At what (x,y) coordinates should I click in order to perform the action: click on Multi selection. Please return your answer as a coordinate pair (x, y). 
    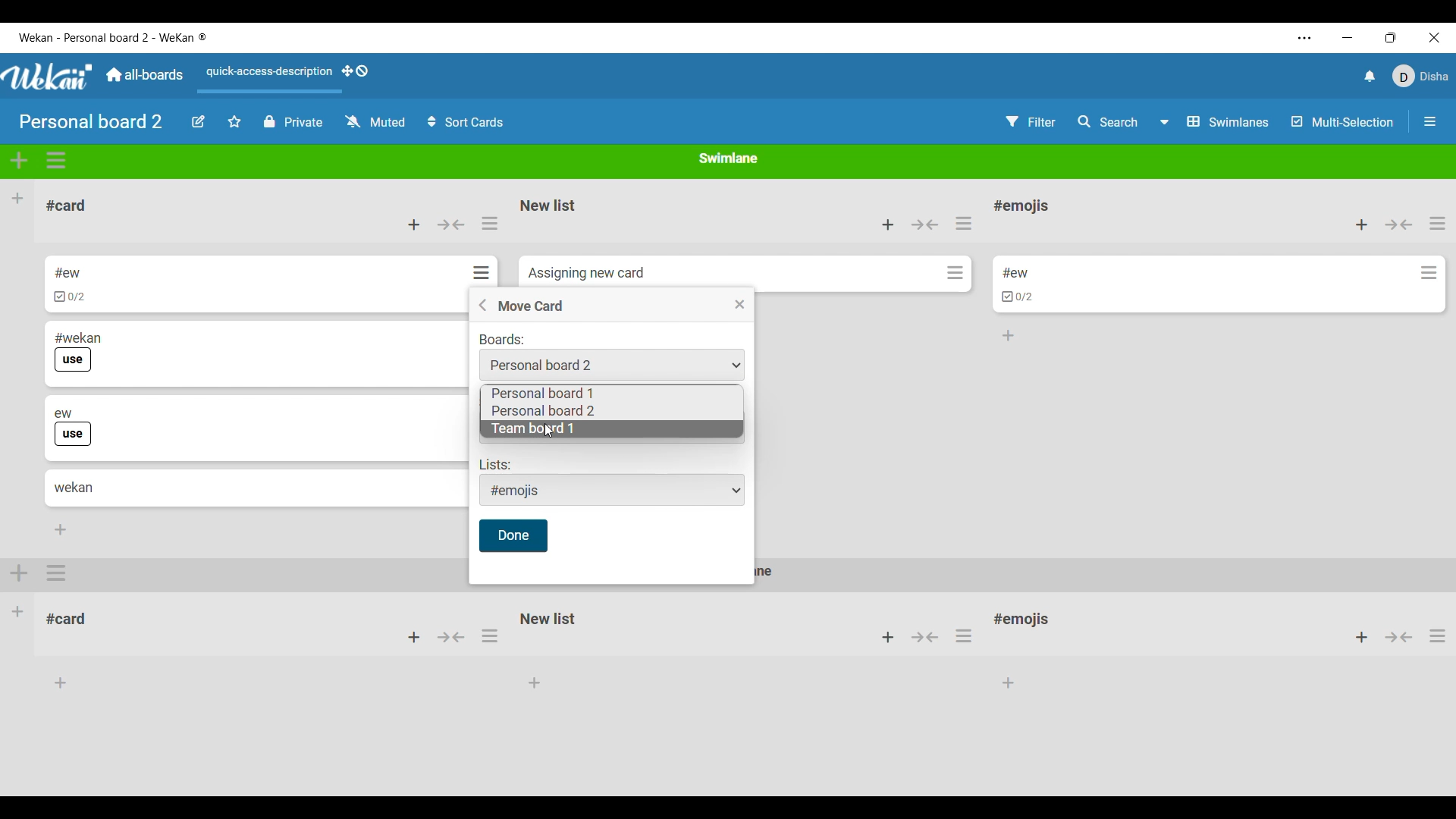
    Looking at the image, I should click on (1343, 122).